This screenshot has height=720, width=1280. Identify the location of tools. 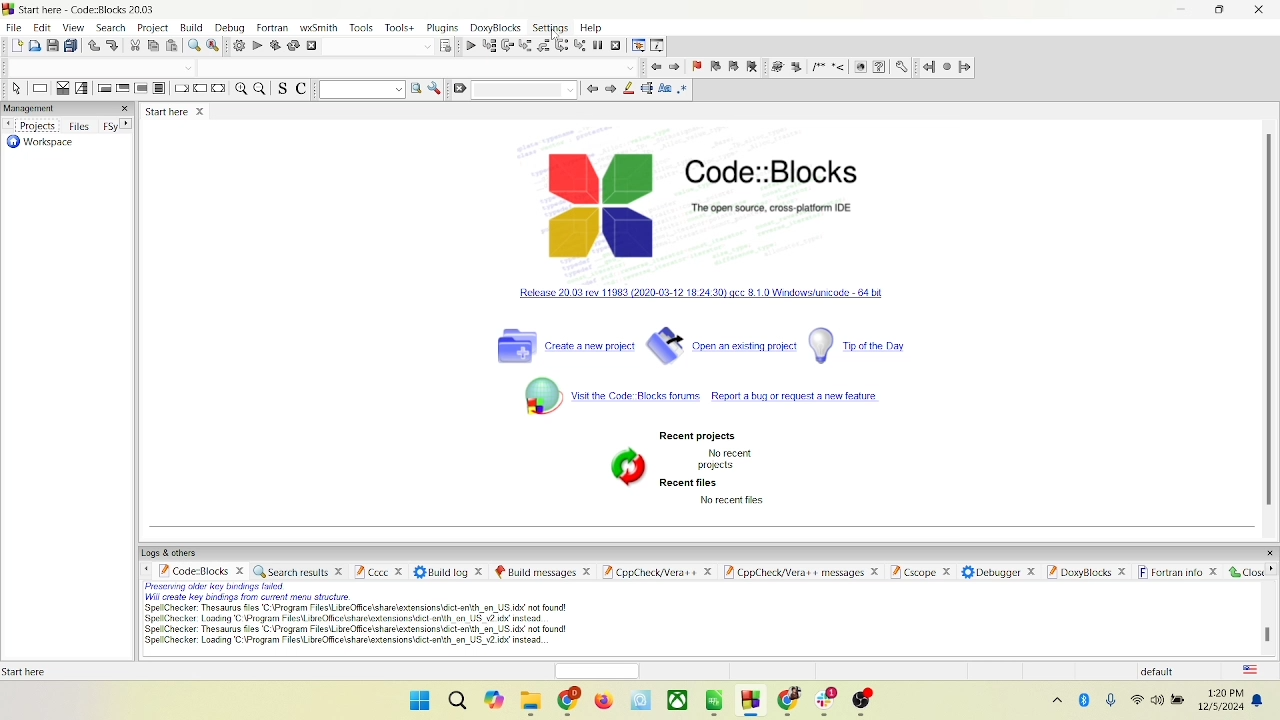
(401, 28).